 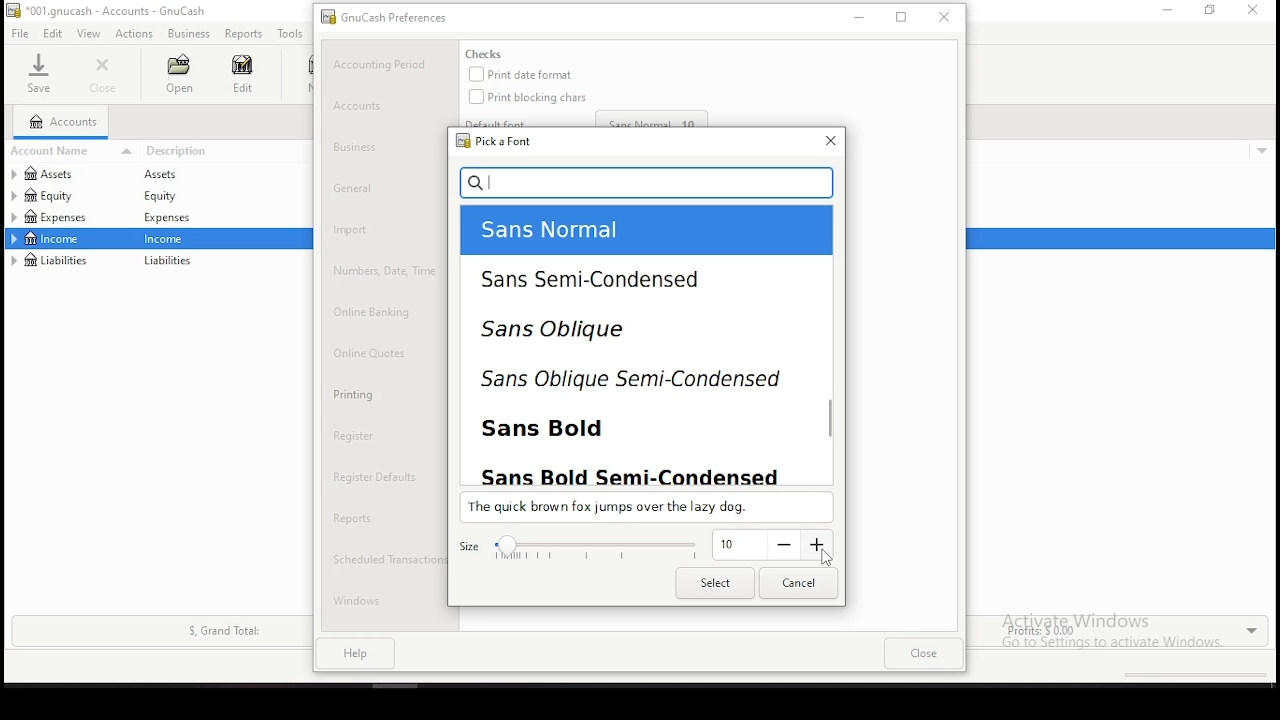 I want to click on edit, so click(x=242, y=73).